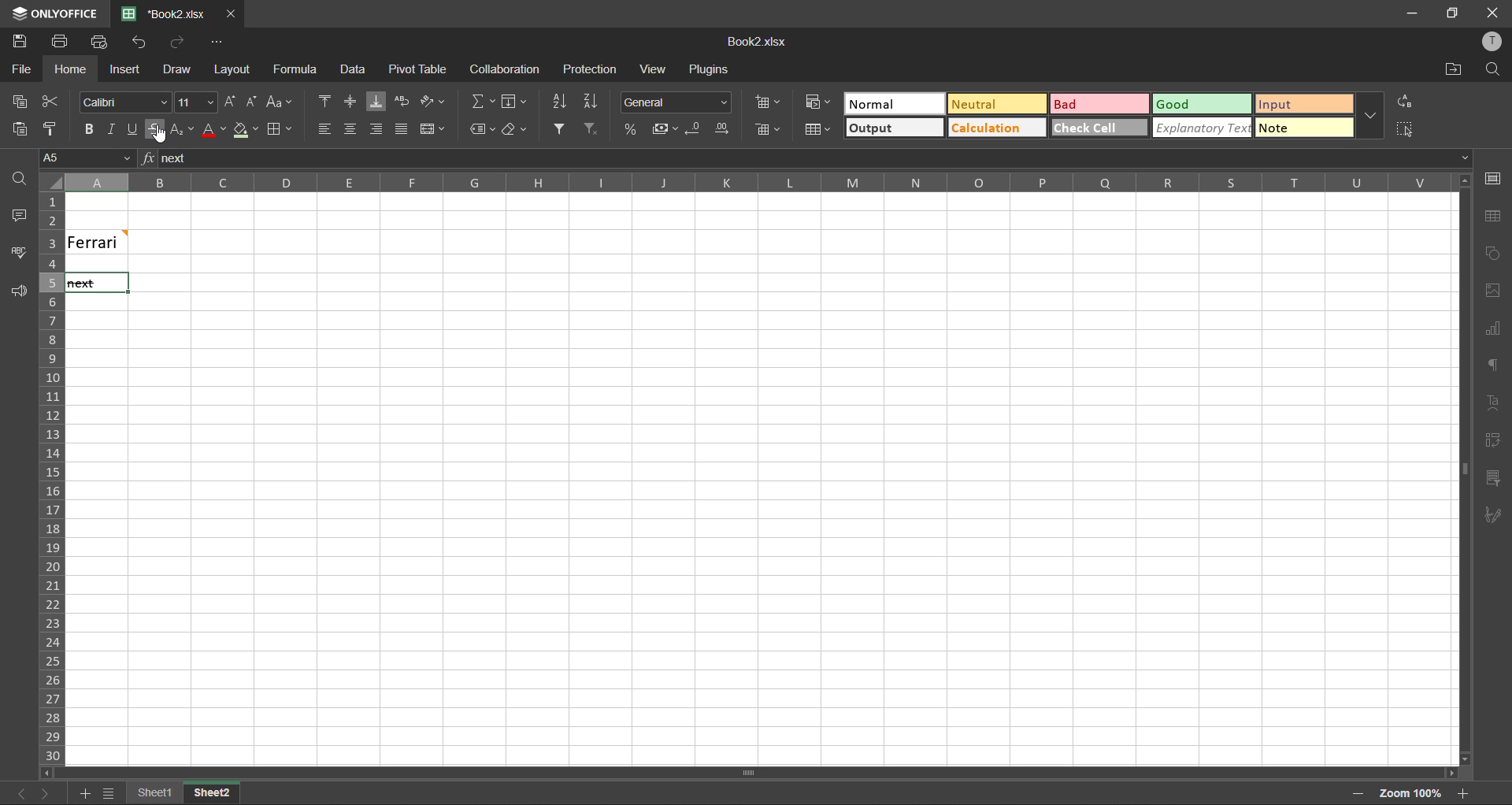 This screenshot has width=1512, height=805. Describe the element at coordinates (86, 793) in the screenshot. I see `add sheet` at that location.